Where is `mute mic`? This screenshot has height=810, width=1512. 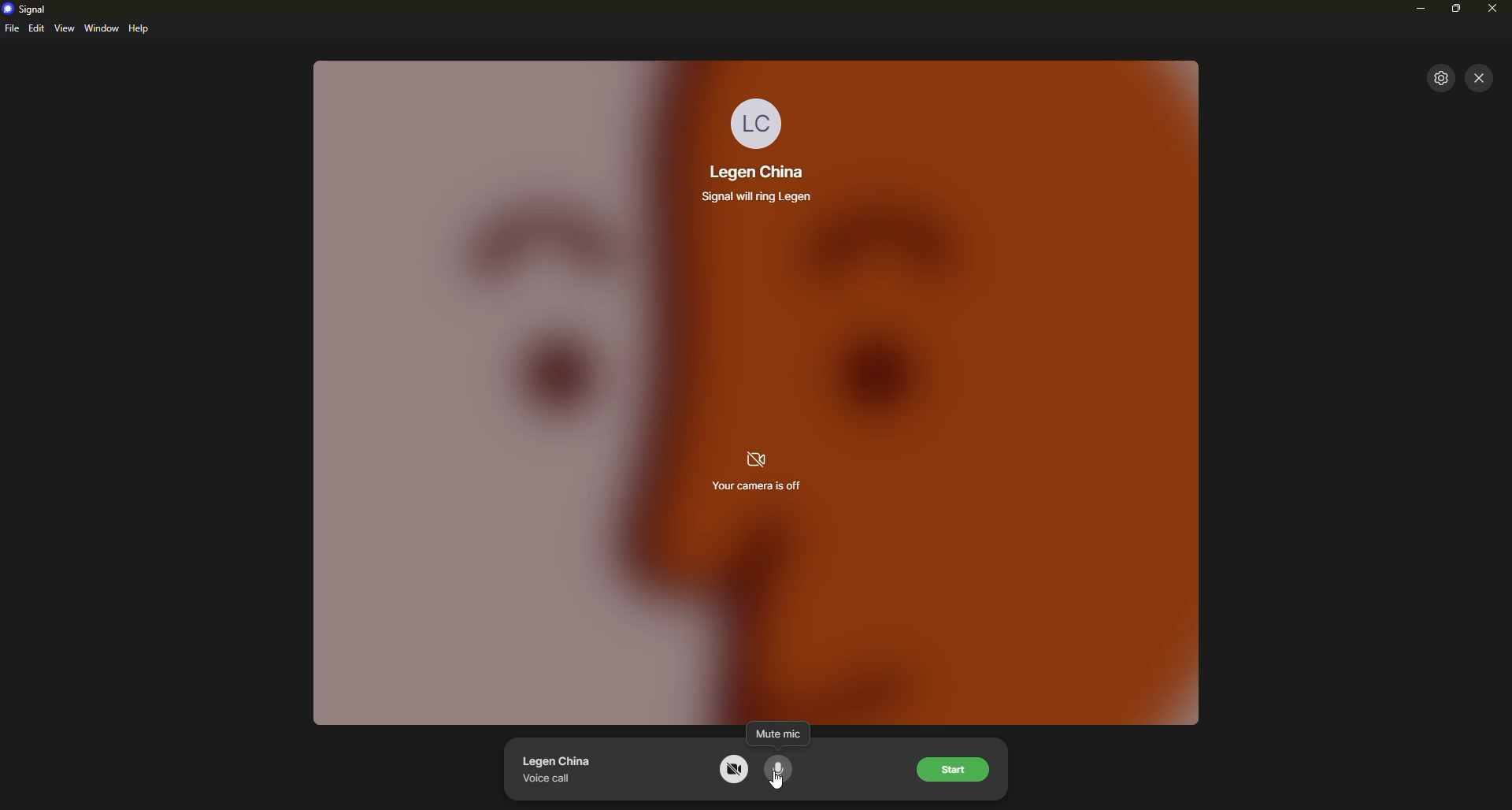 mute mic is located at coordinates (777, 731).